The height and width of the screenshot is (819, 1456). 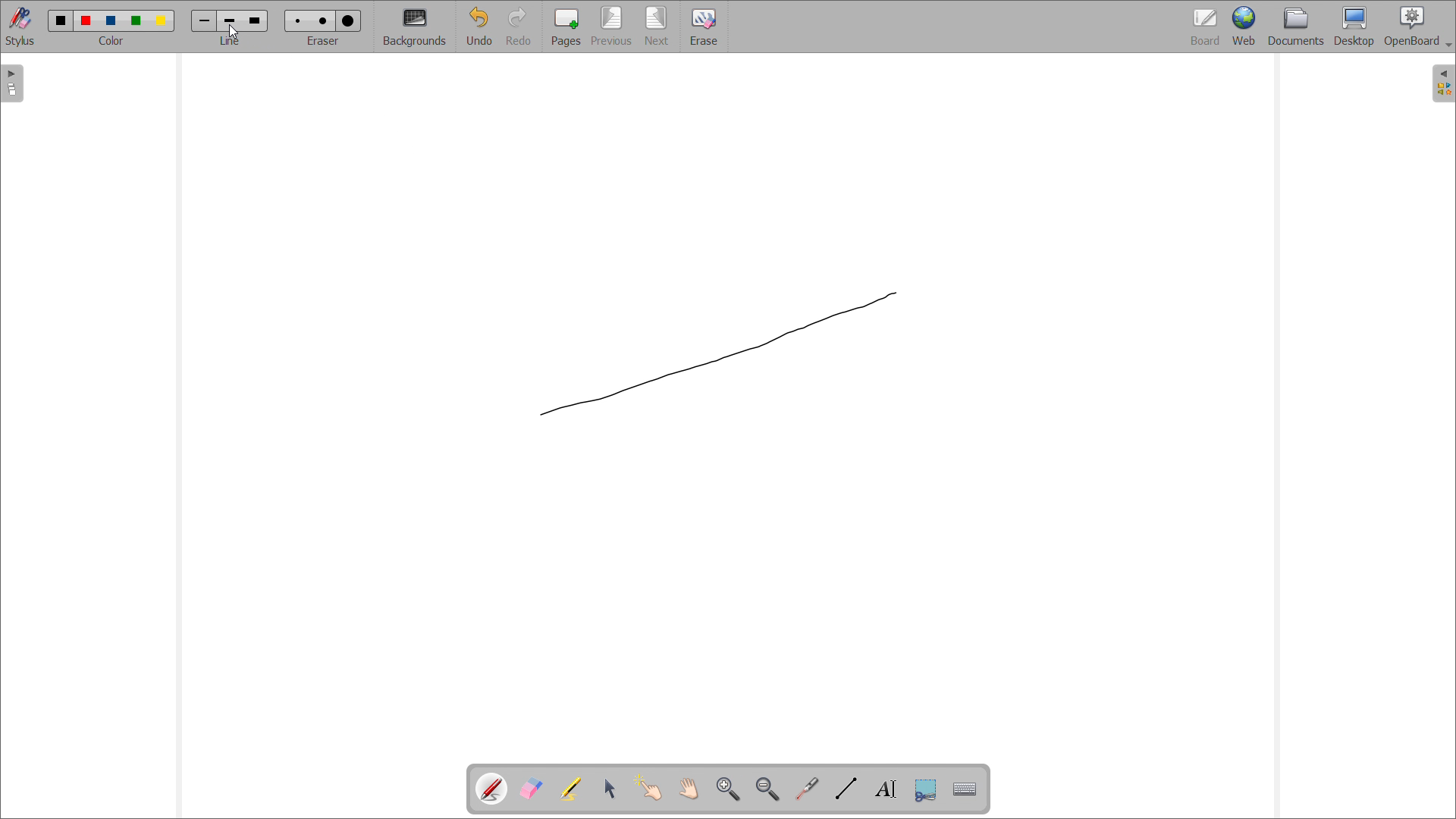 I want to click on cursor, so click(x=233, y=33).